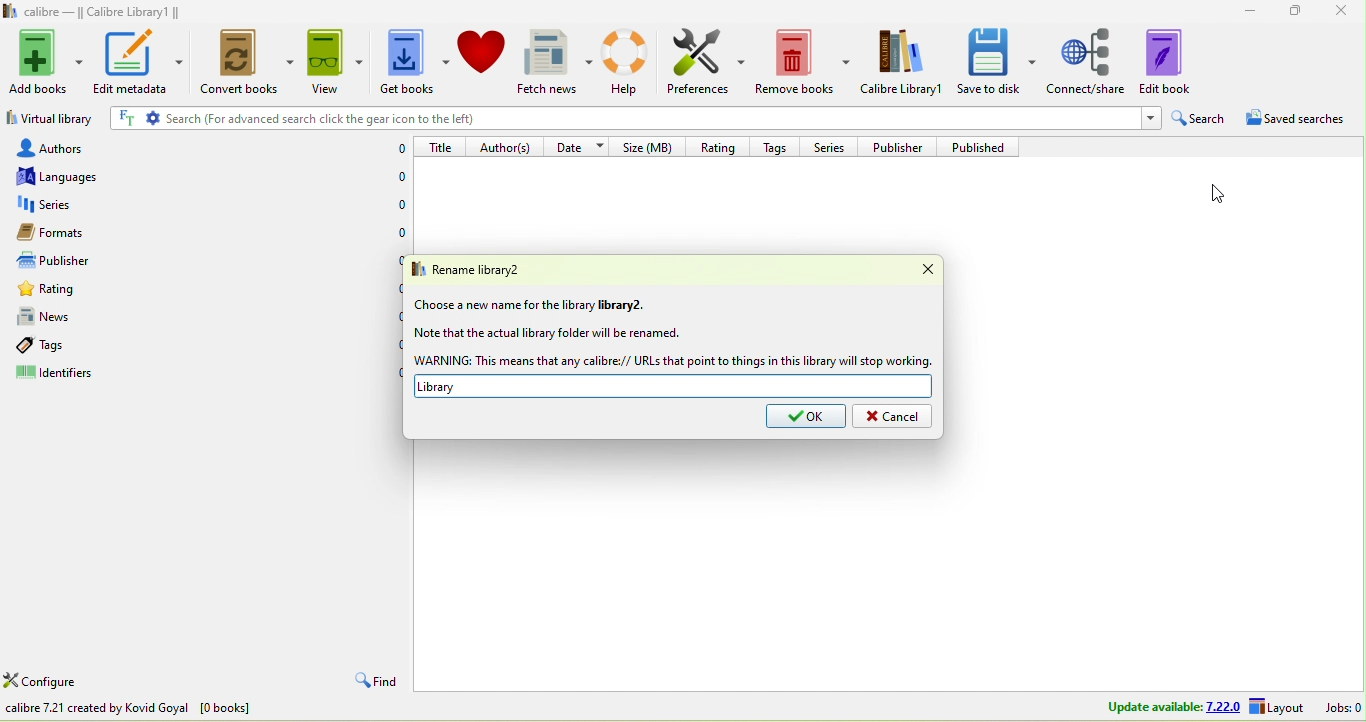  I want to click on find, so click(373, 682).